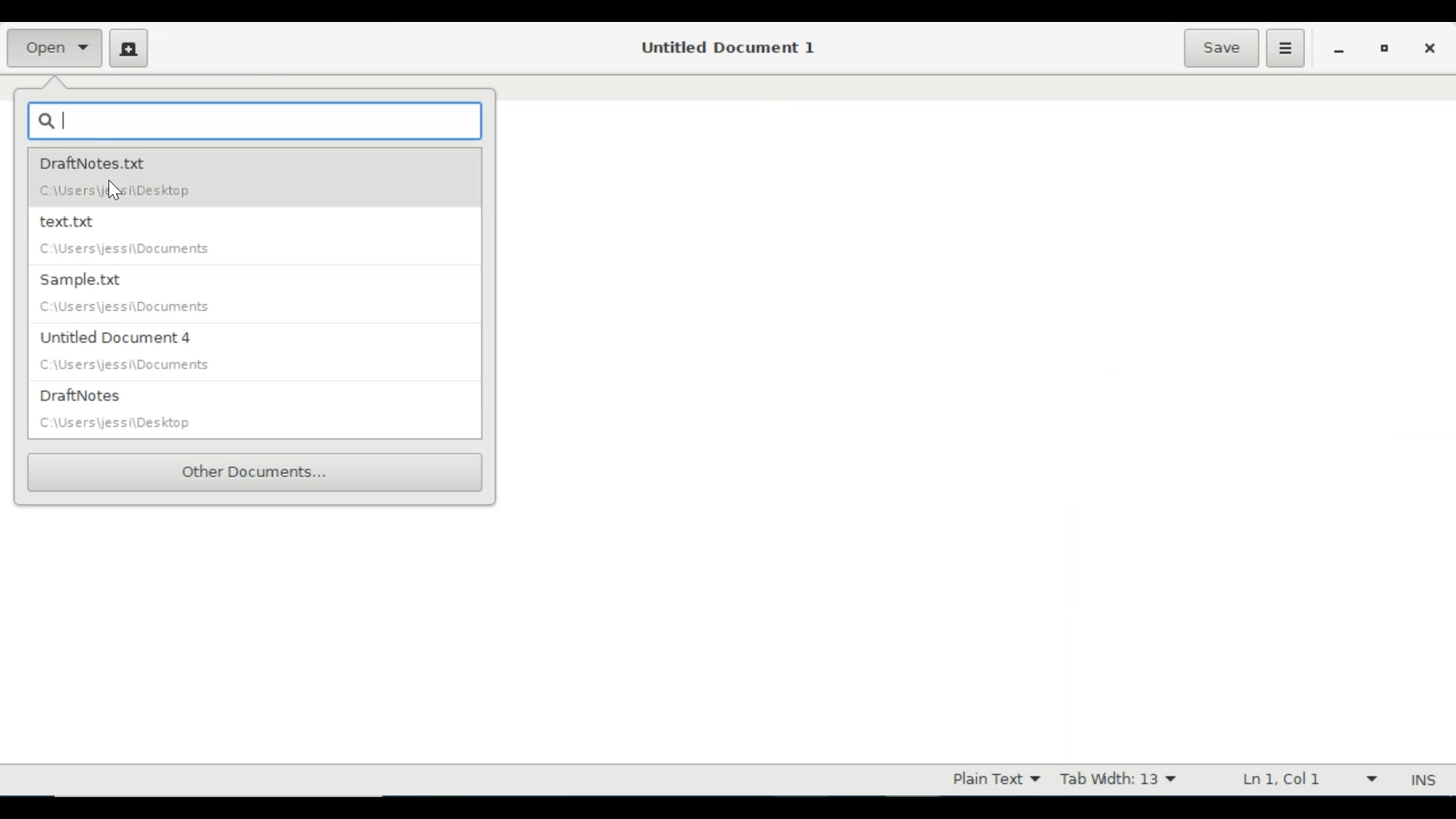  What do you see at coordinates (258, 410) in the screenshot?
I see `DraftNotes` at bounding box center [258, 410].